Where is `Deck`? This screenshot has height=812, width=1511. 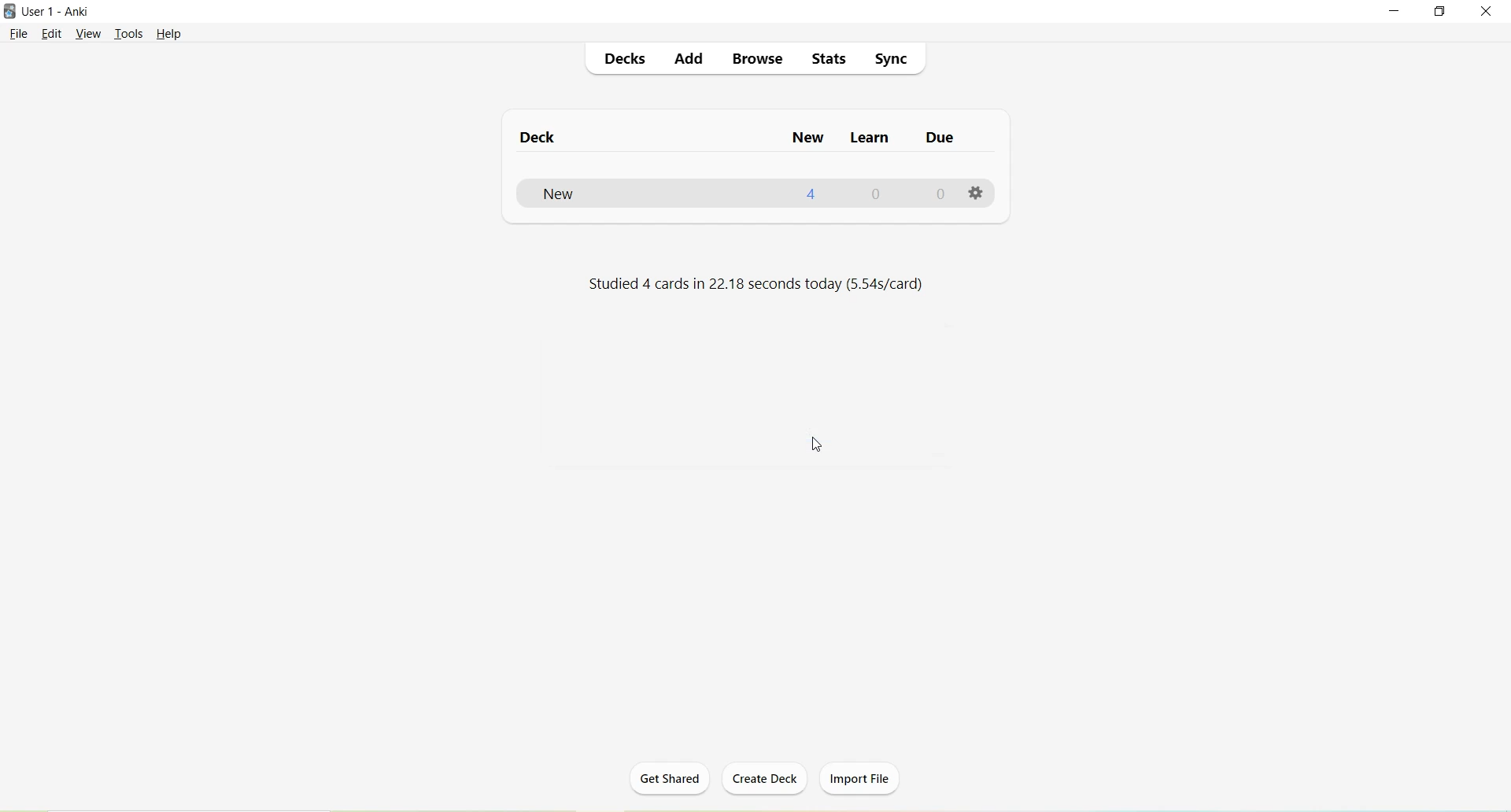 Deck is located at coordinates (538, 140).